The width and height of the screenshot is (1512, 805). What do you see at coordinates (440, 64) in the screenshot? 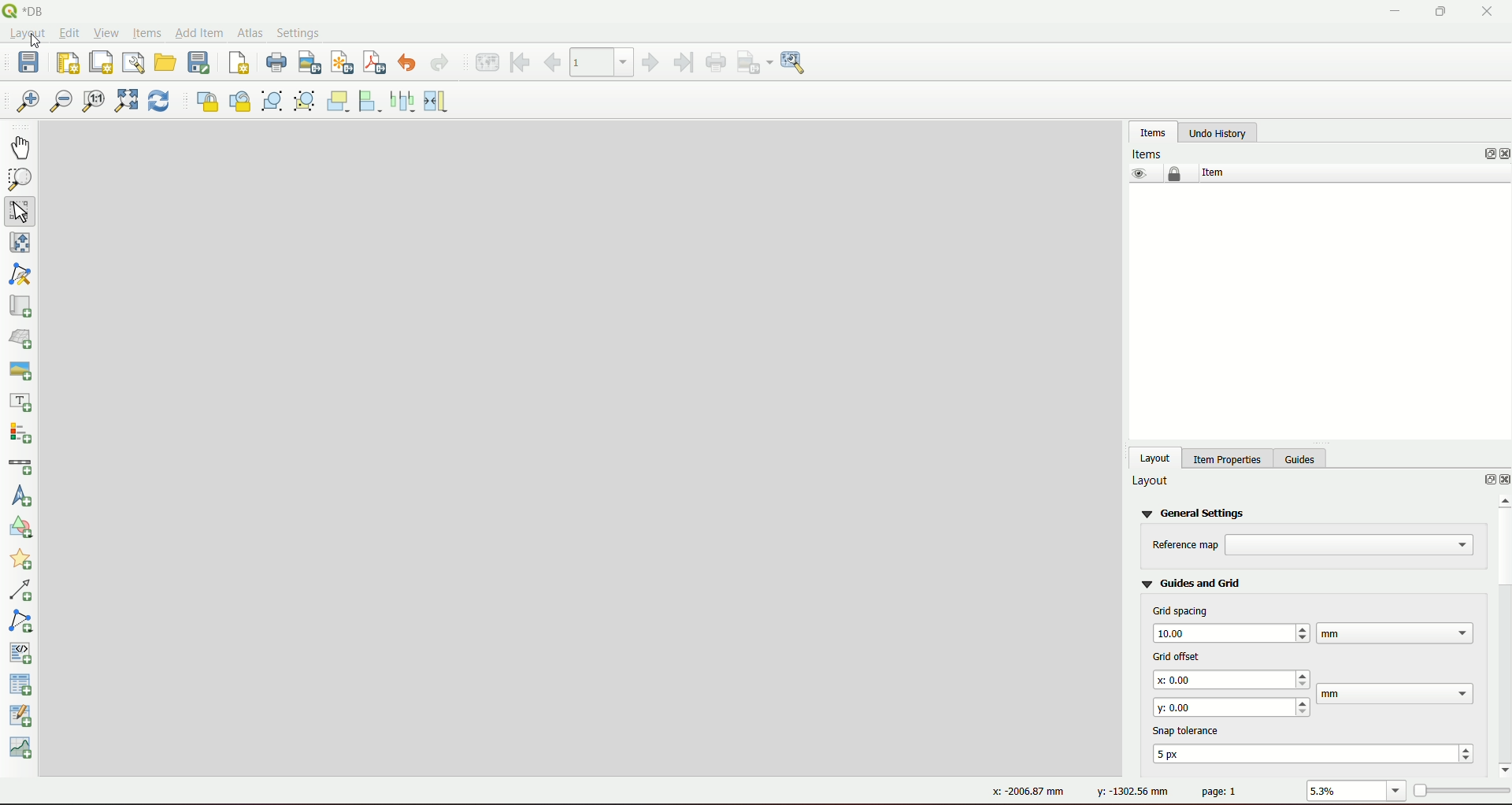
I see `redo` at bounding box center [440, 64].